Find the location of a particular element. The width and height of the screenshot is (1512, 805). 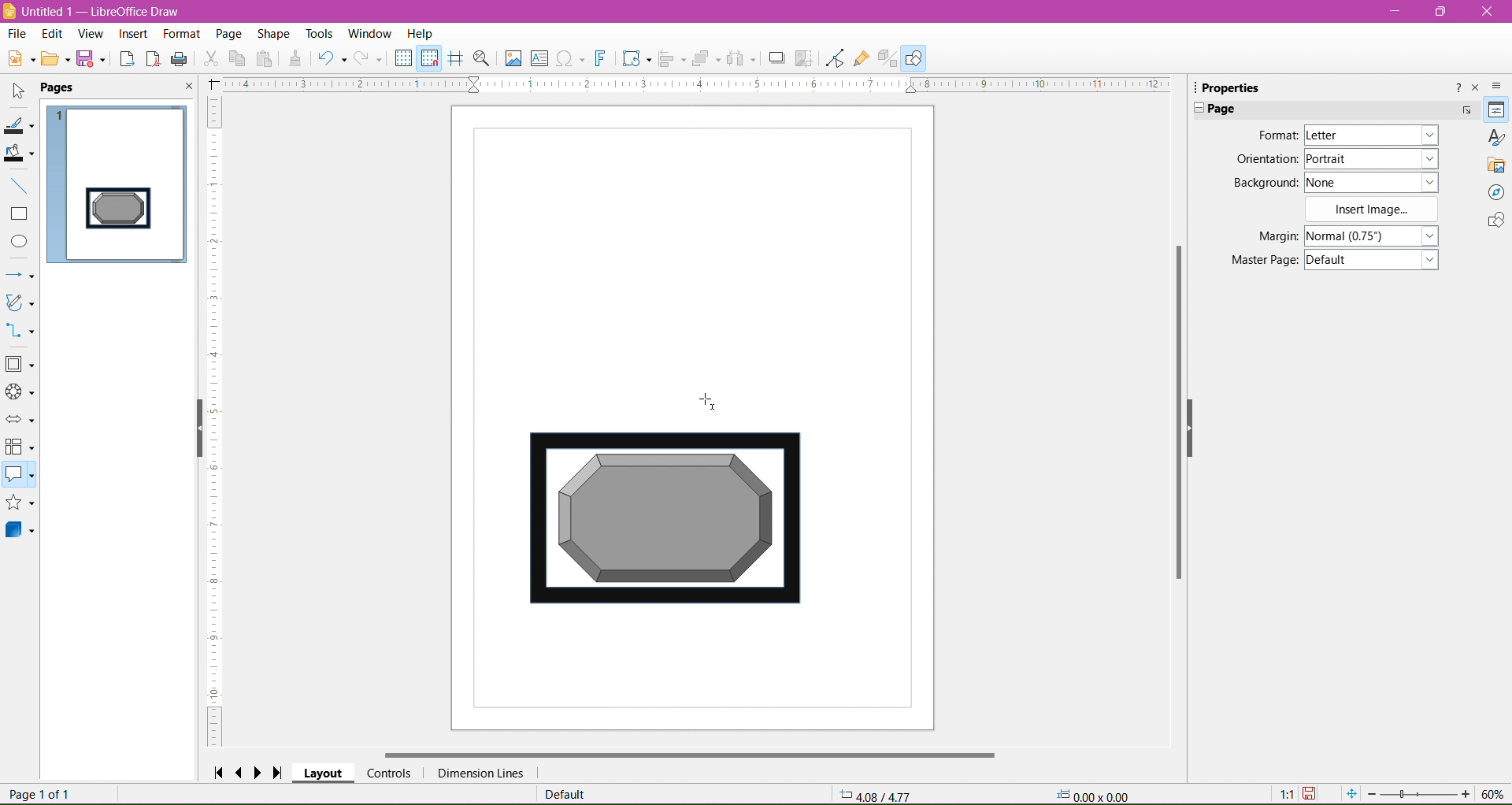

Curves and Polygons is located at coordinates (20, 303).